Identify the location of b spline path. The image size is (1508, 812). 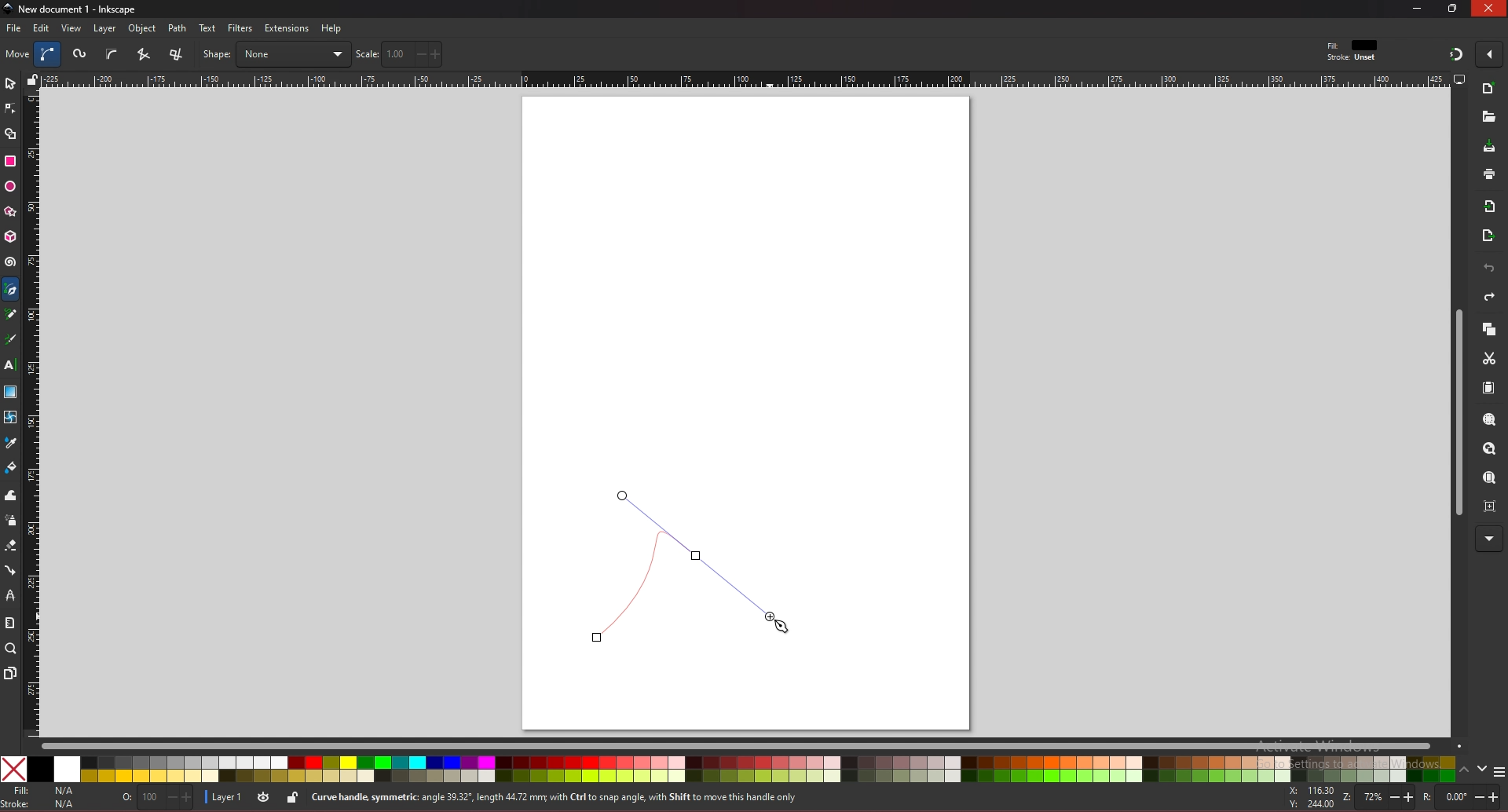
(112, 53).